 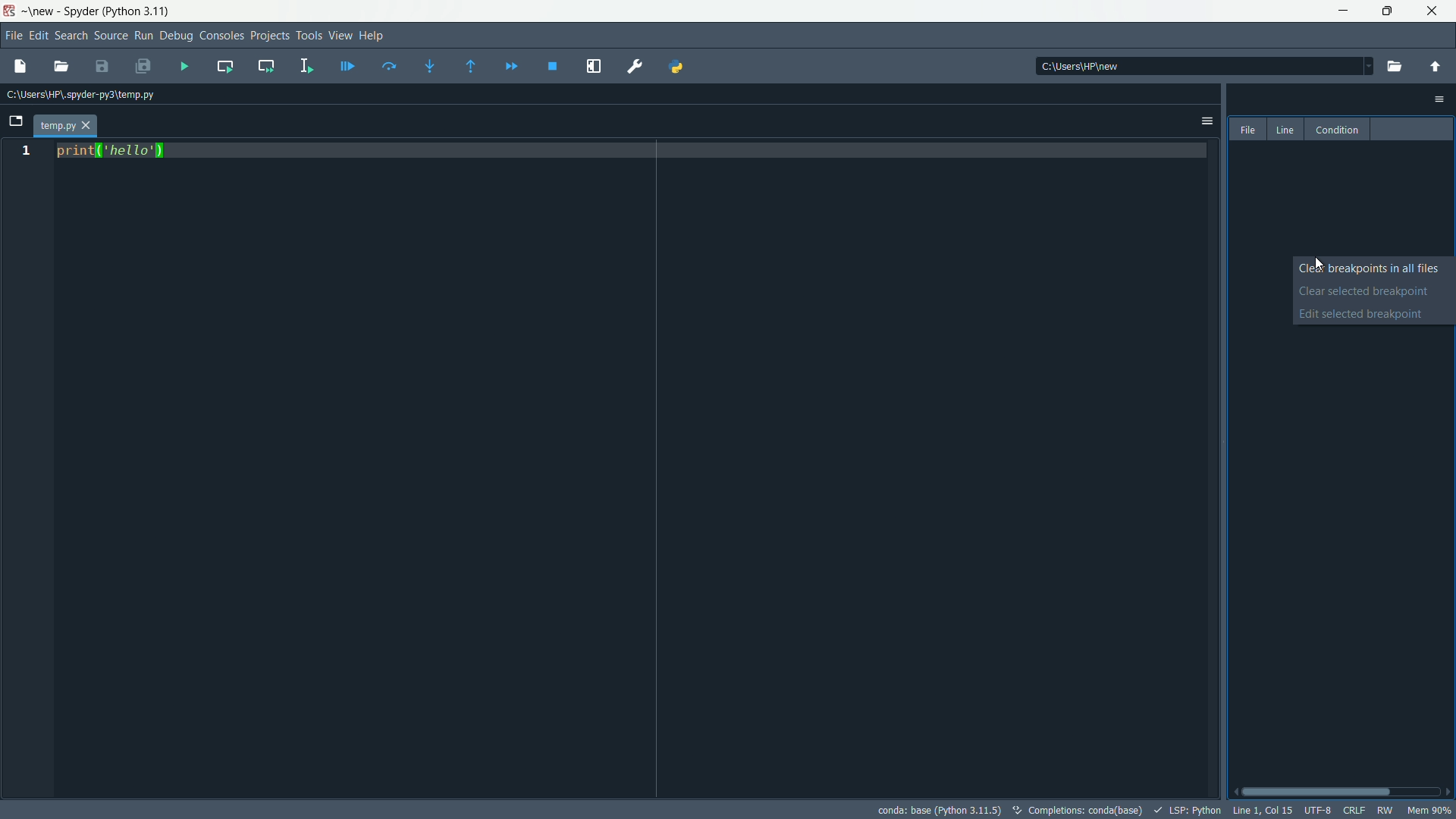 I want to click on breakpoint pane settings, so click(x=1441, y=99).